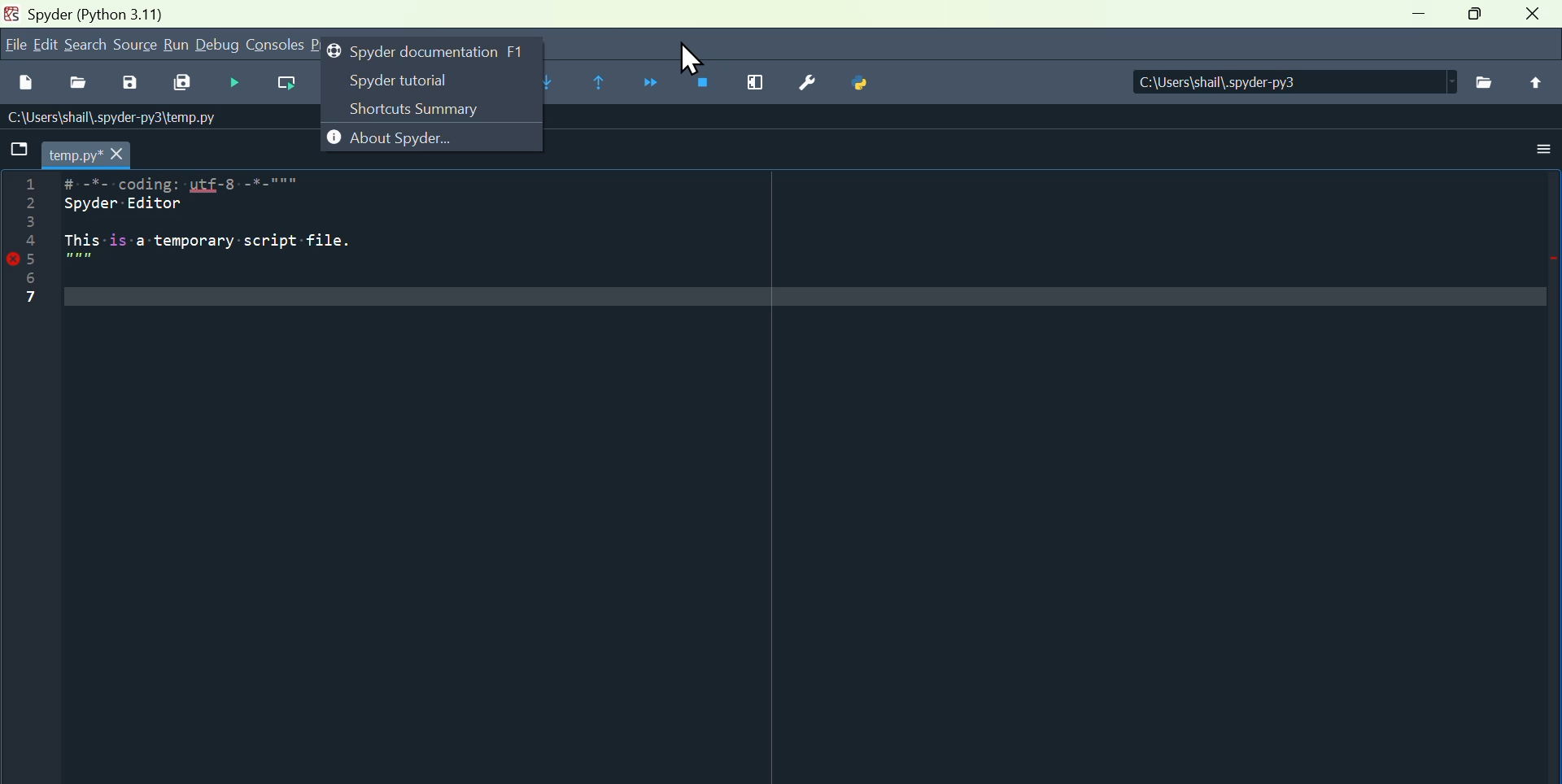 Image resolution: width=1562 pixels, height=784 pixels. What do you see at coordinates (87, 156) in the screenshot?
I see `temp.py` at bounding box center [87, 156].